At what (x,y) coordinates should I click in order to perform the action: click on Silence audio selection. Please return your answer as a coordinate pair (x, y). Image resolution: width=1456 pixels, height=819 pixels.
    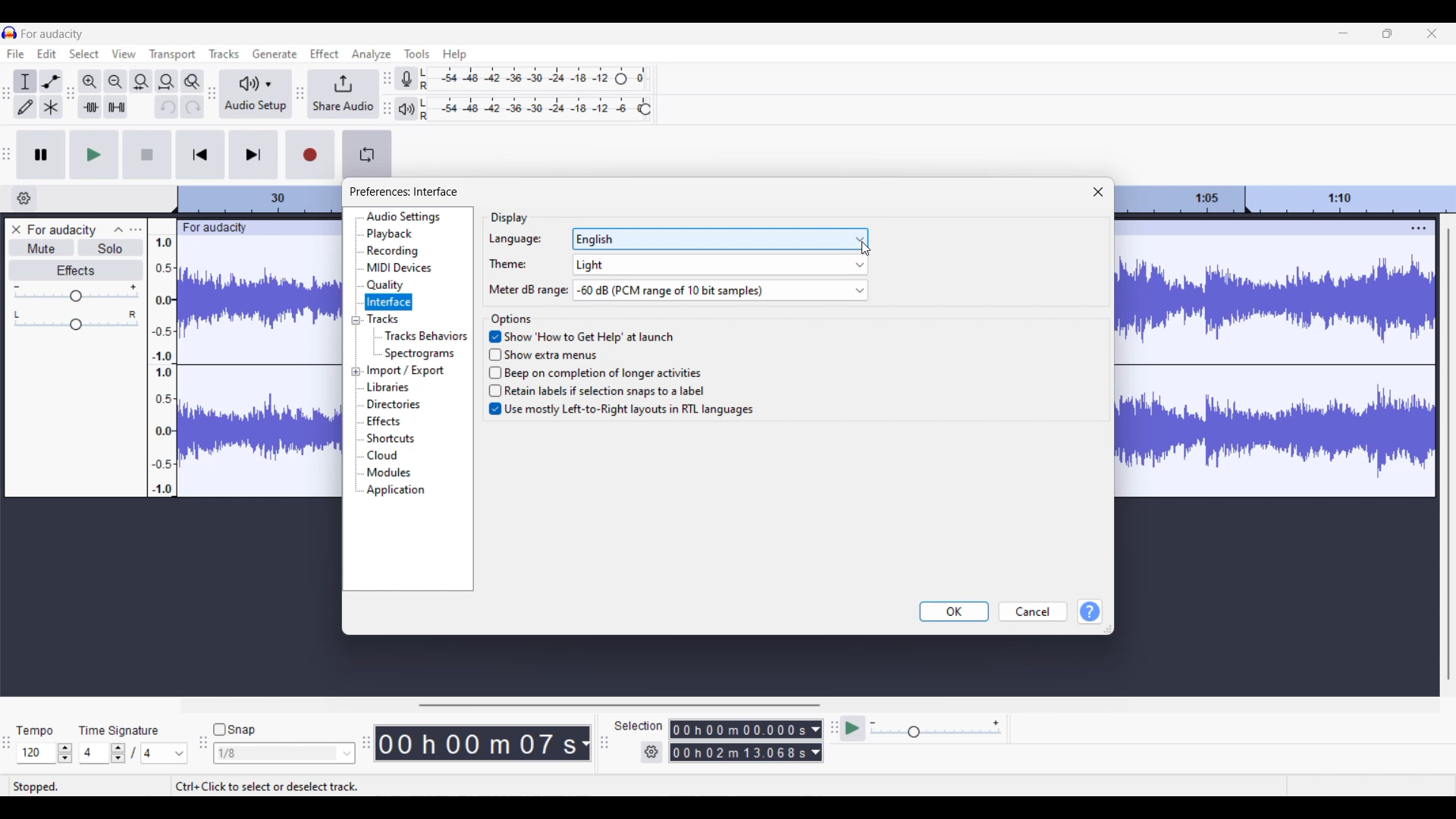
    Looking at the image, I should click on (117, 106).